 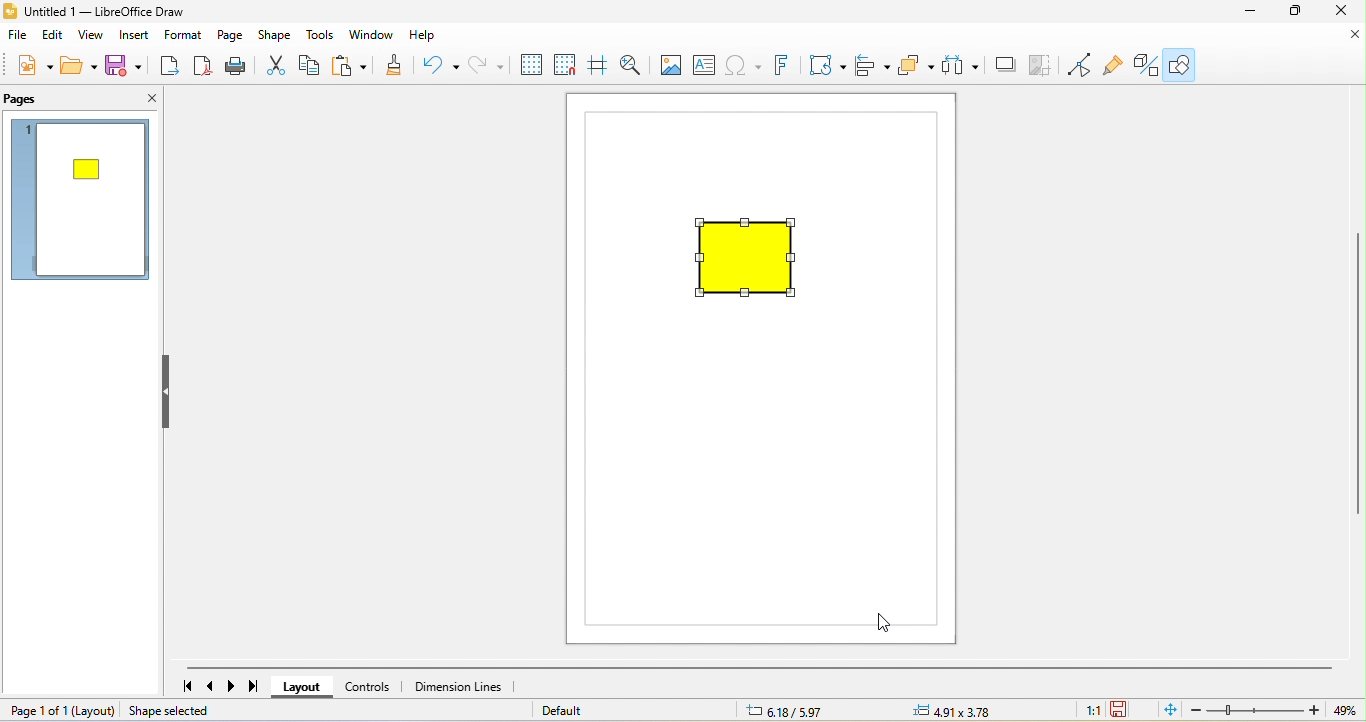 I want to click on undo, so click(x=435, y=65).